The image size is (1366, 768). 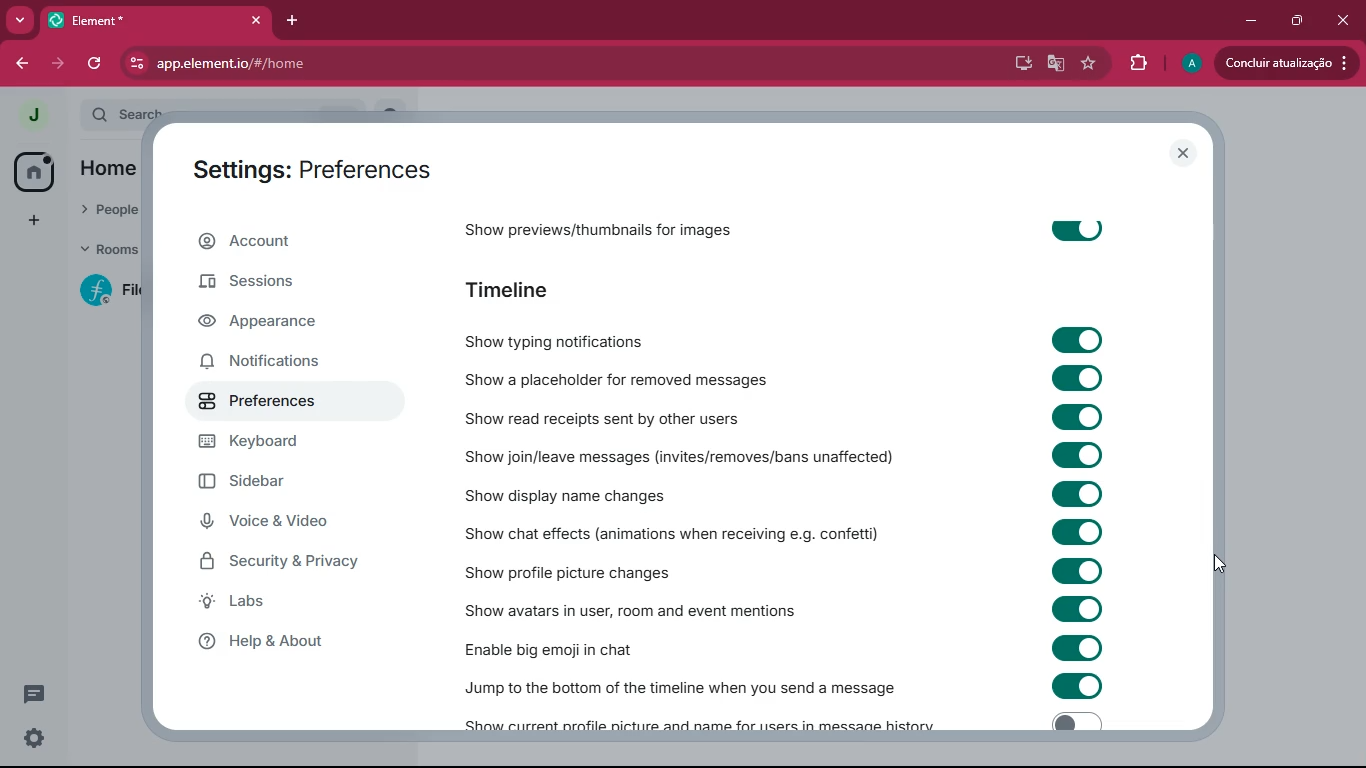 What do you see at coordinates (1184, 154) in the screenshot?
I see `close` at bounding box center [1184, 154].